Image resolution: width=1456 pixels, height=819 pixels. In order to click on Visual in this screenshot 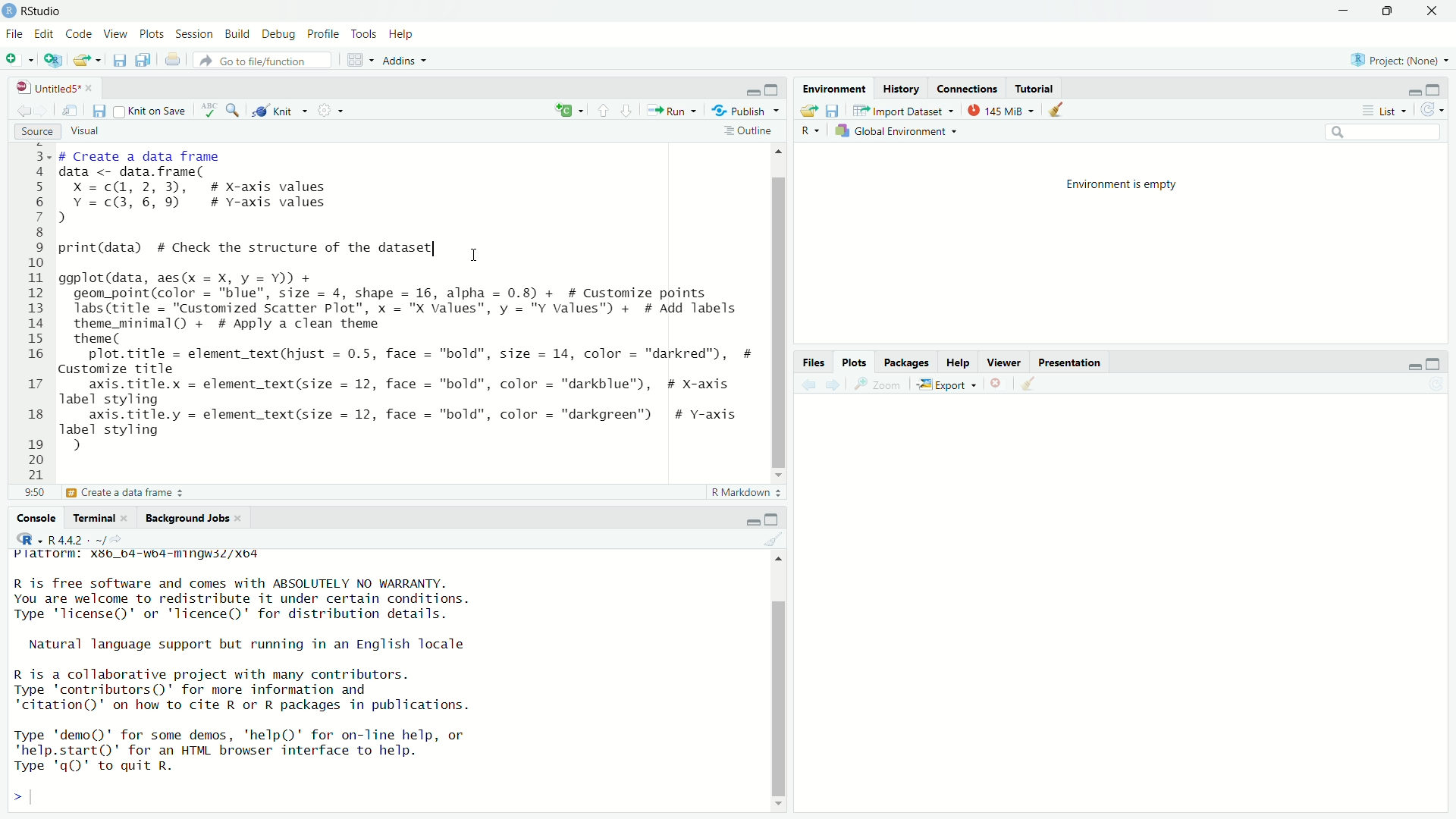, I will do `click(82, 132)`.